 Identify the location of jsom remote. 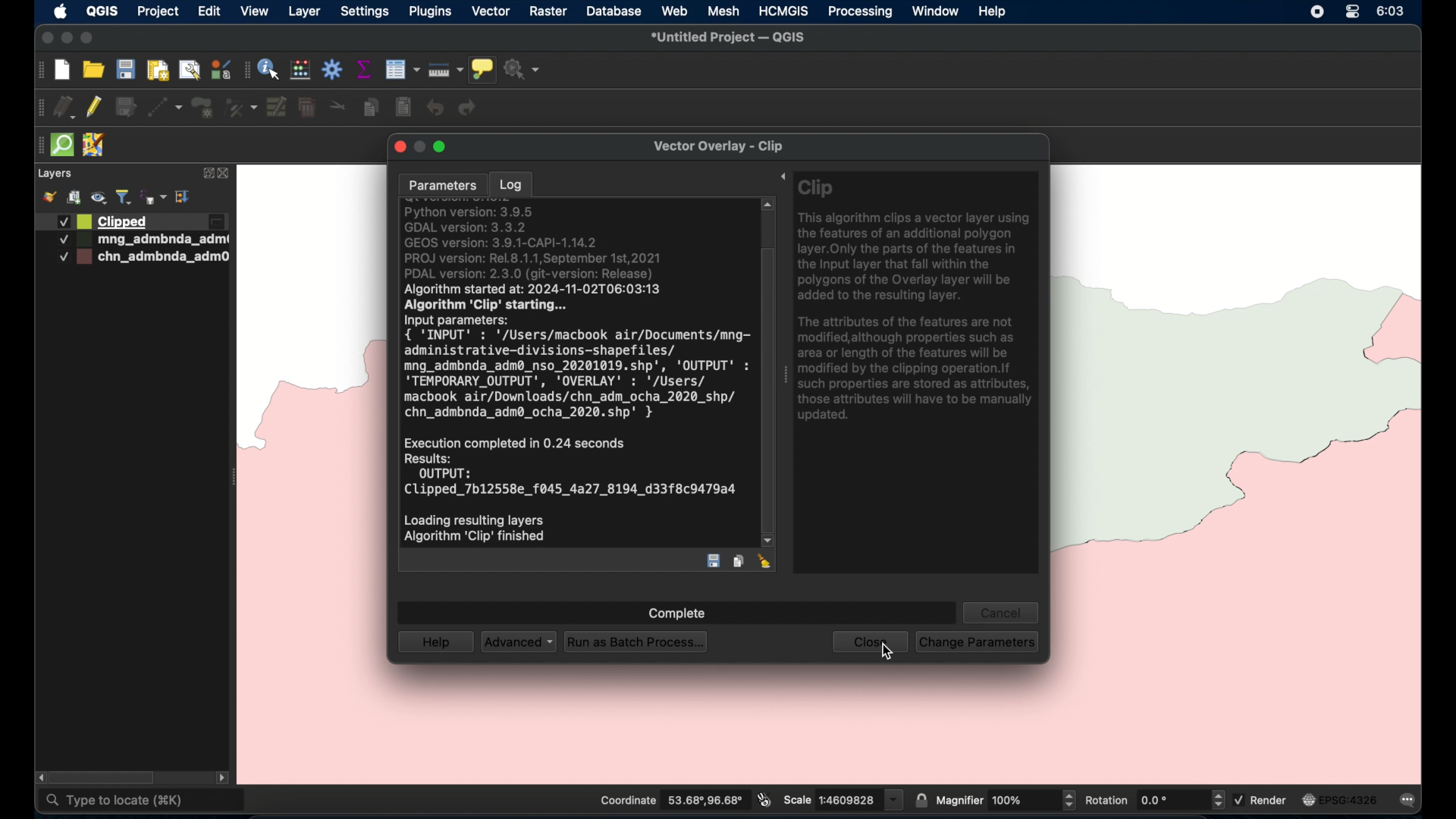
(96, 146).